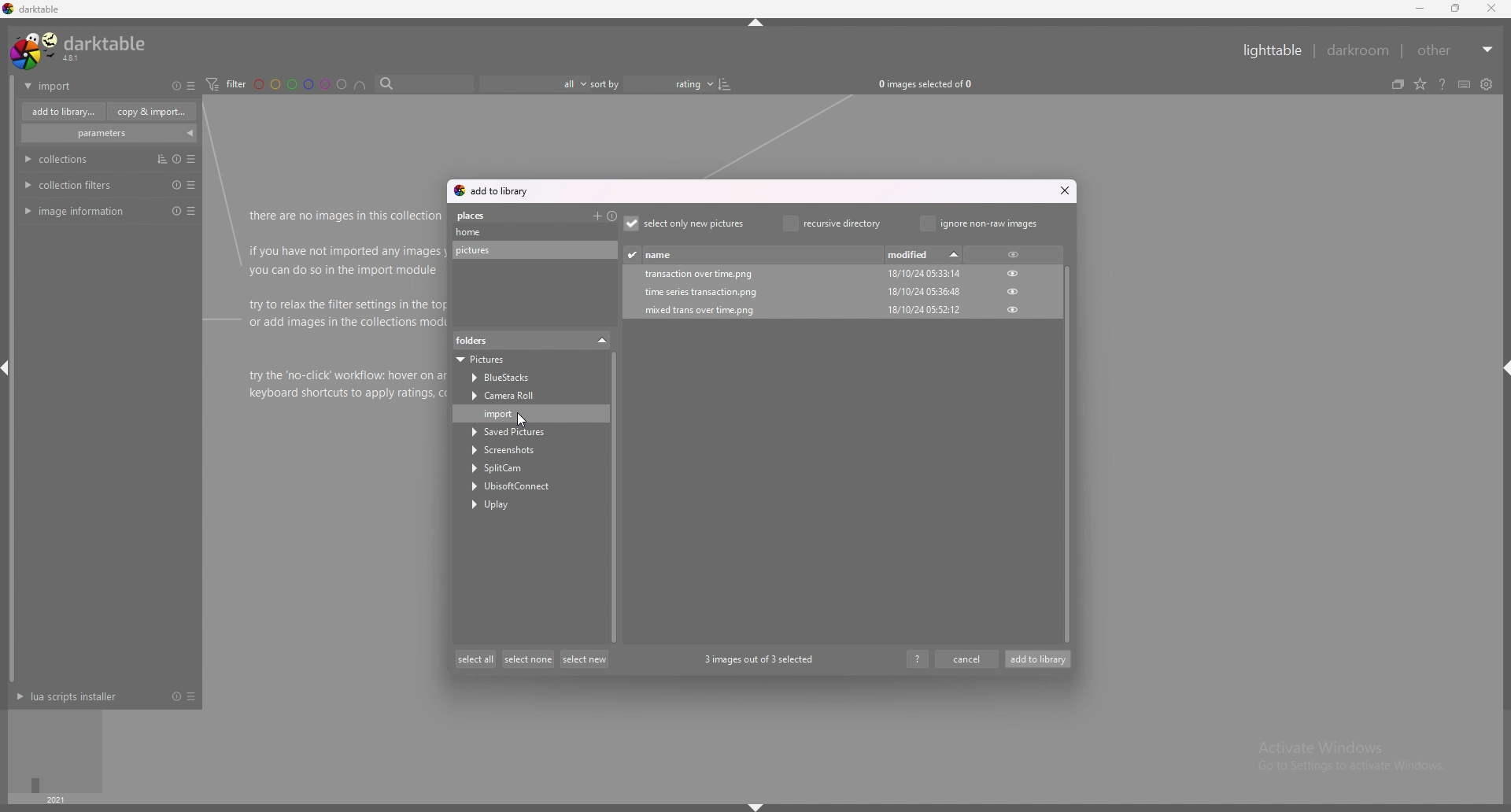 This screenshot has height=812, width=1511. Describe the element at coordinates (597, 216) in the screenshot. I see `add a custom place` at that location.